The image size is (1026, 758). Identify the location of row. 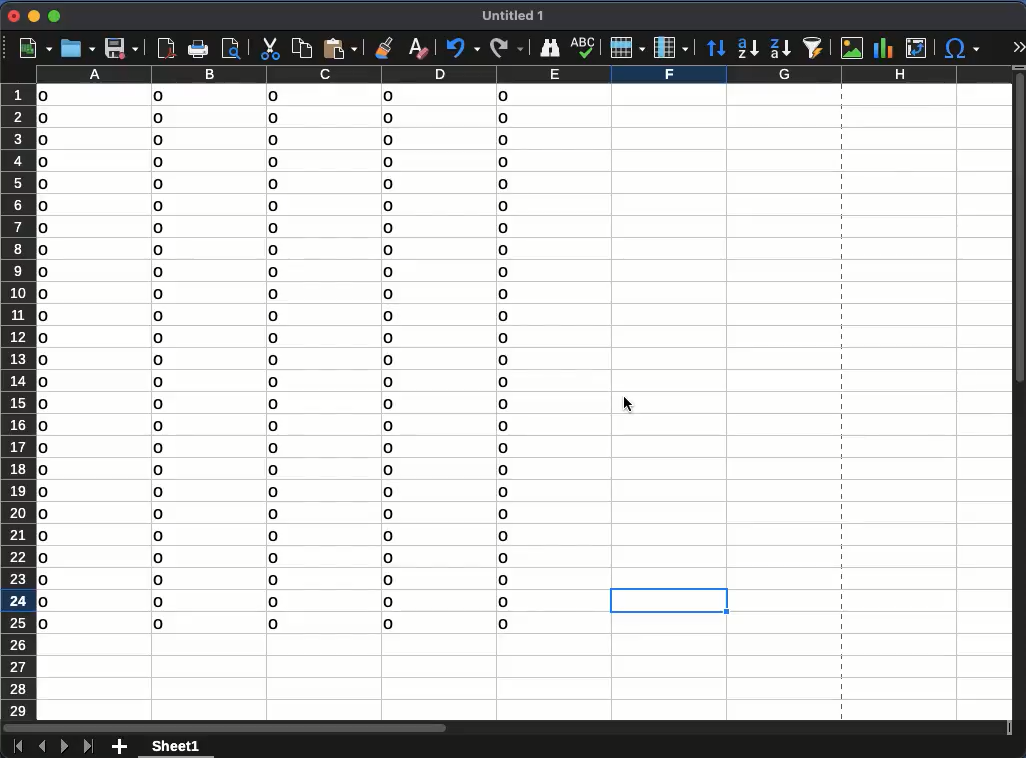
(628, 48).